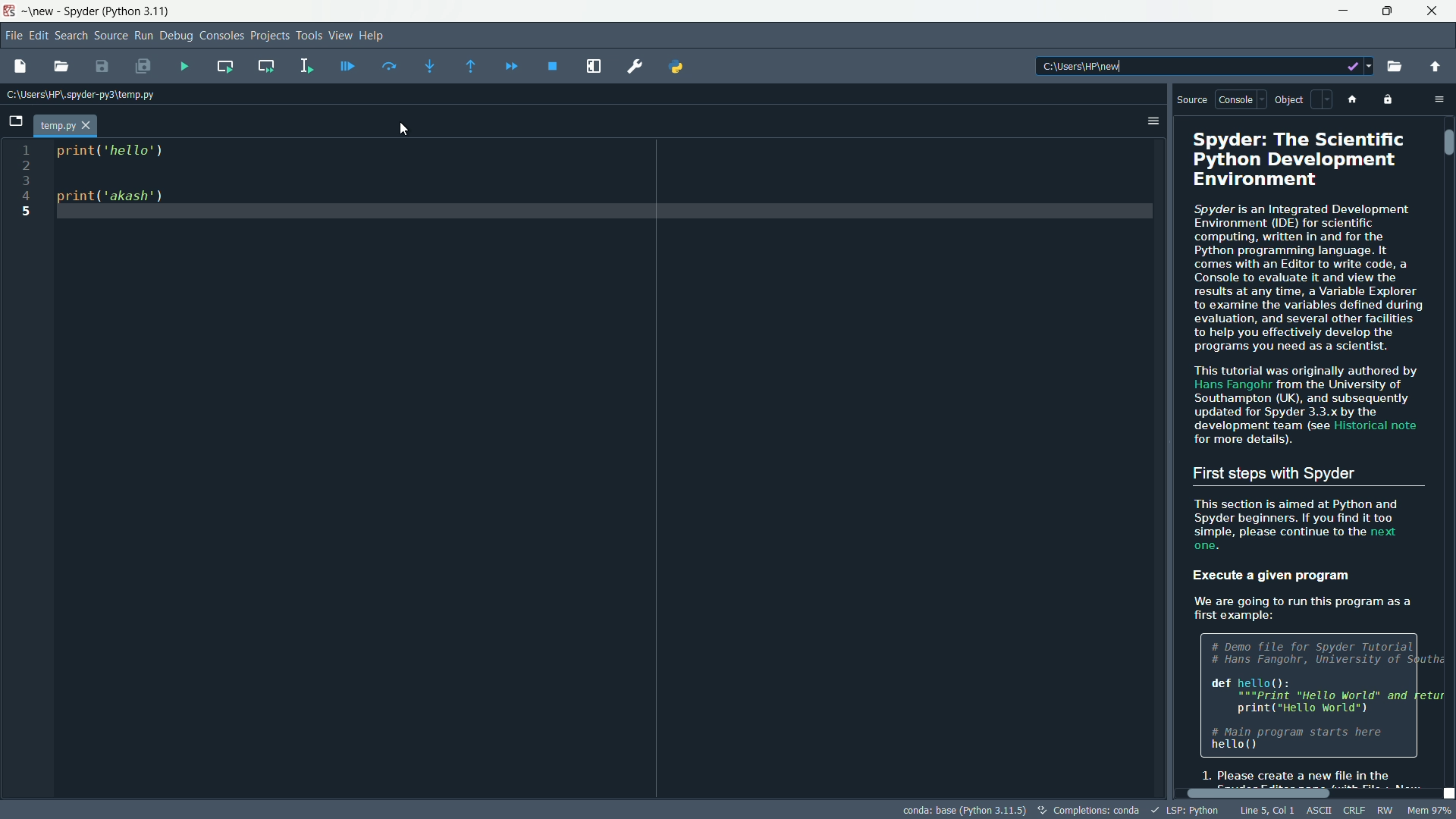 Image resolution: width=1456 pixels, height=819 pixels. What do you see at coordinates (1436, 66) in the screenshot?
I see `change to parent directory` at bounding box center [1436, 66].